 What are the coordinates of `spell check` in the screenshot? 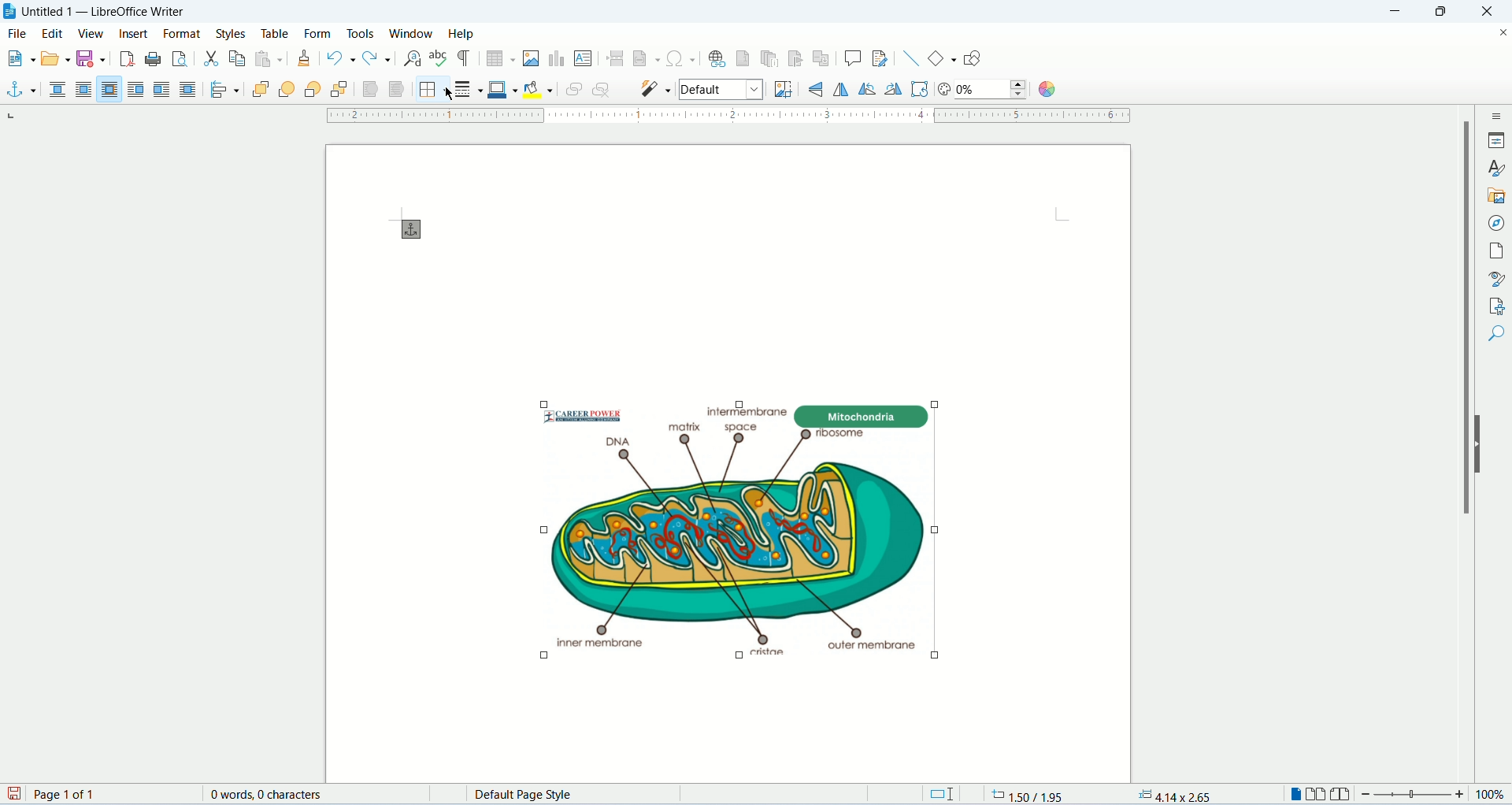 It's located at (441, 58).